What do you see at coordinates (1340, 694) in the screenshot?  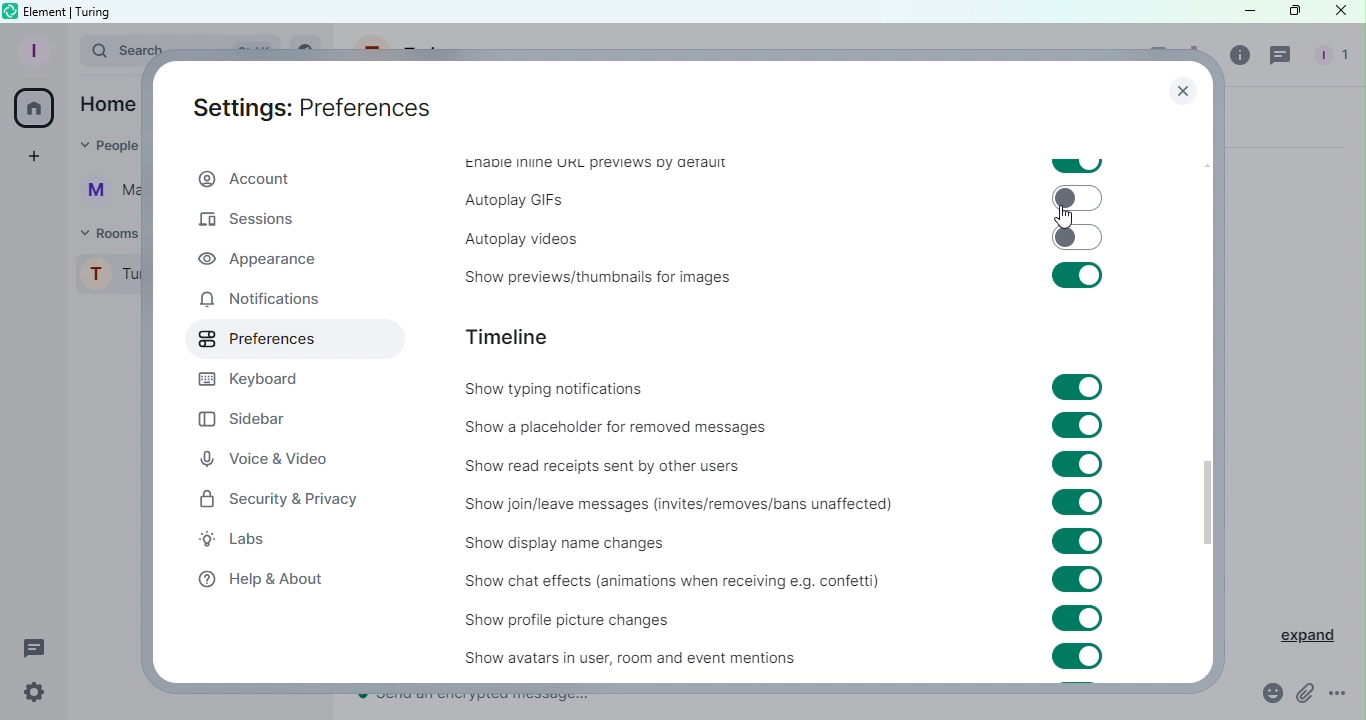 I see `More Options` at bounding box center [1340, 694].